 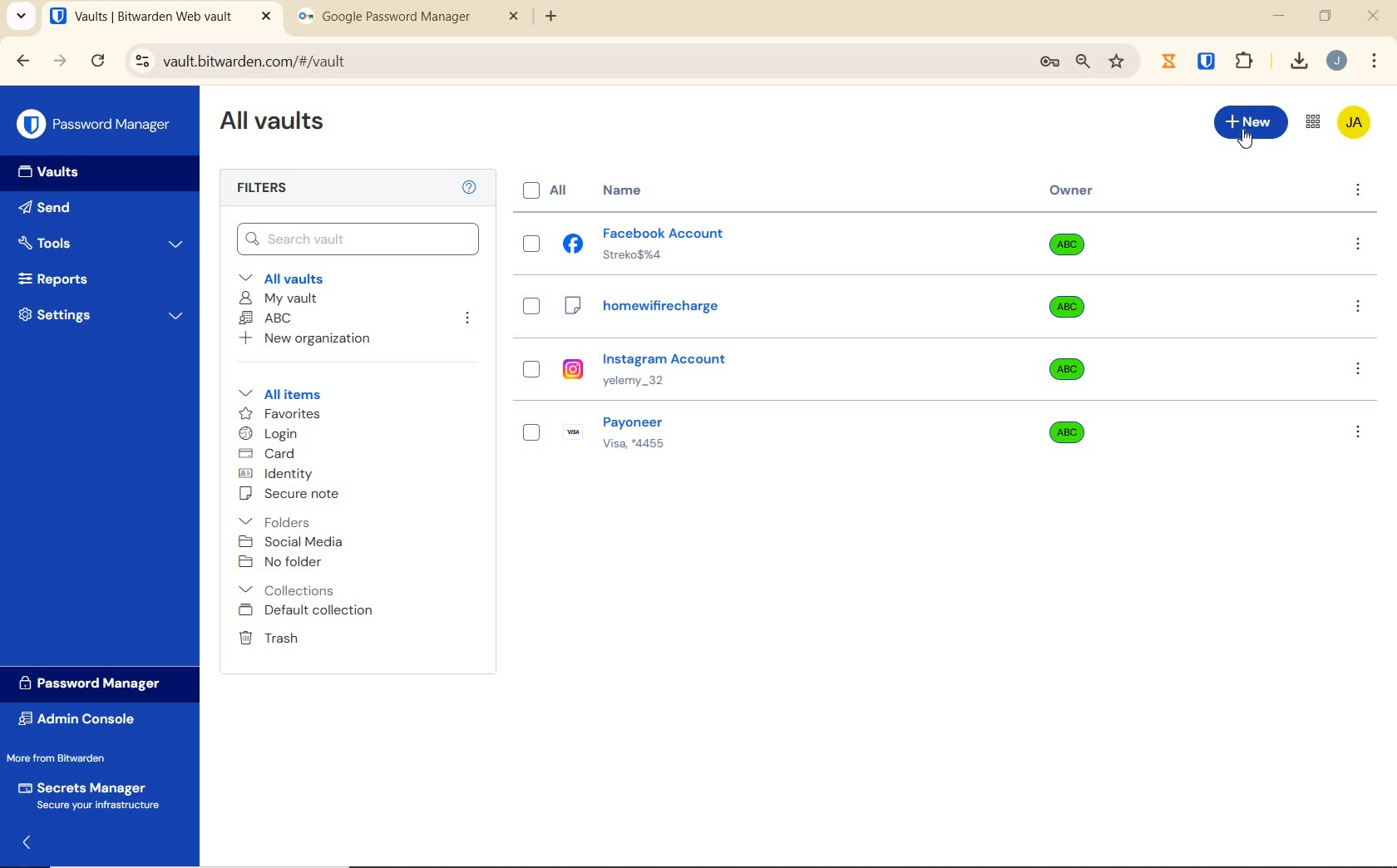 I want to click on Owner, so click(x=1072, y=190).